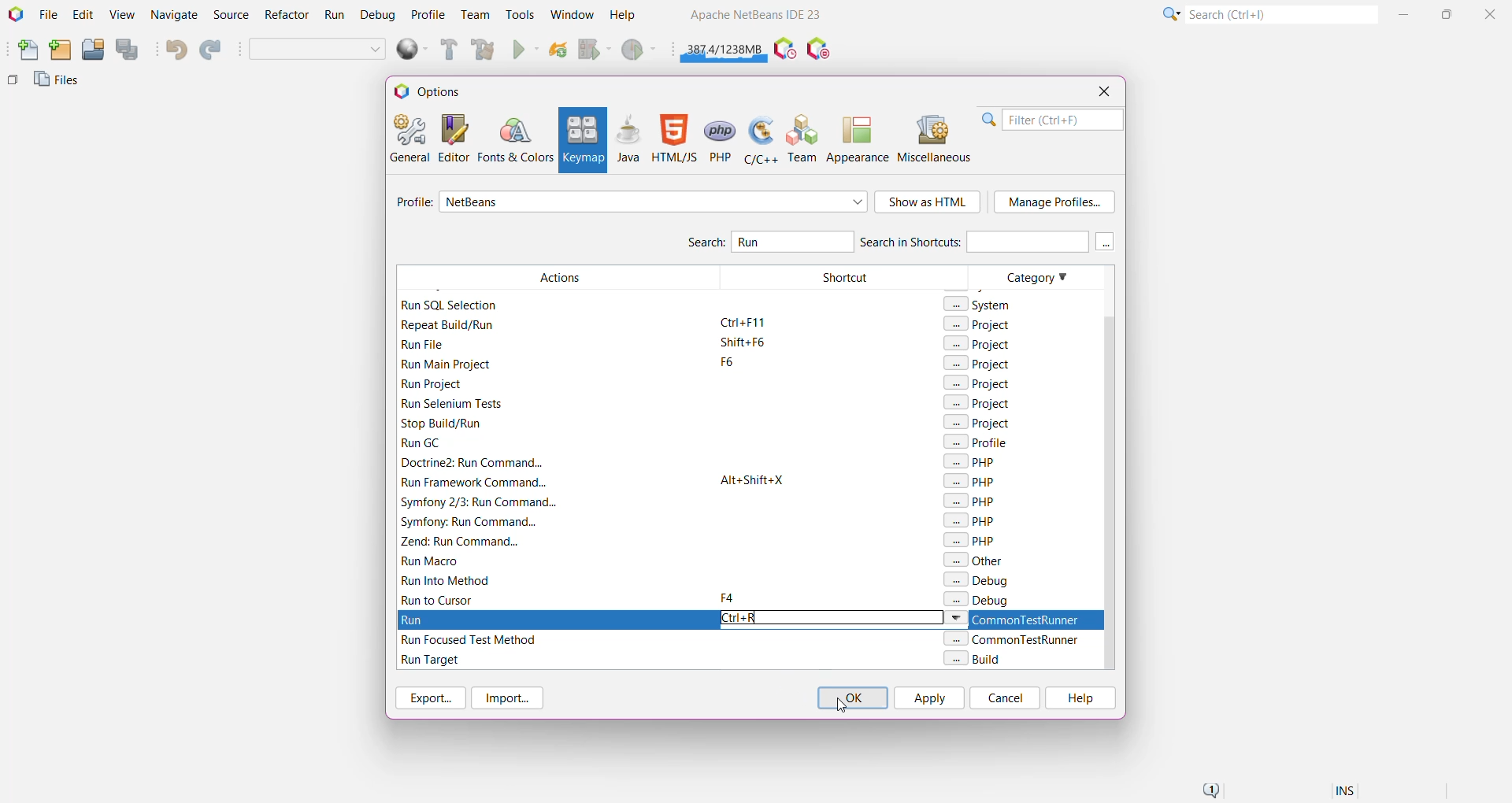 The height and width of the screenshot is (803, 1512). I want to click on New Project, so click(60, 50).